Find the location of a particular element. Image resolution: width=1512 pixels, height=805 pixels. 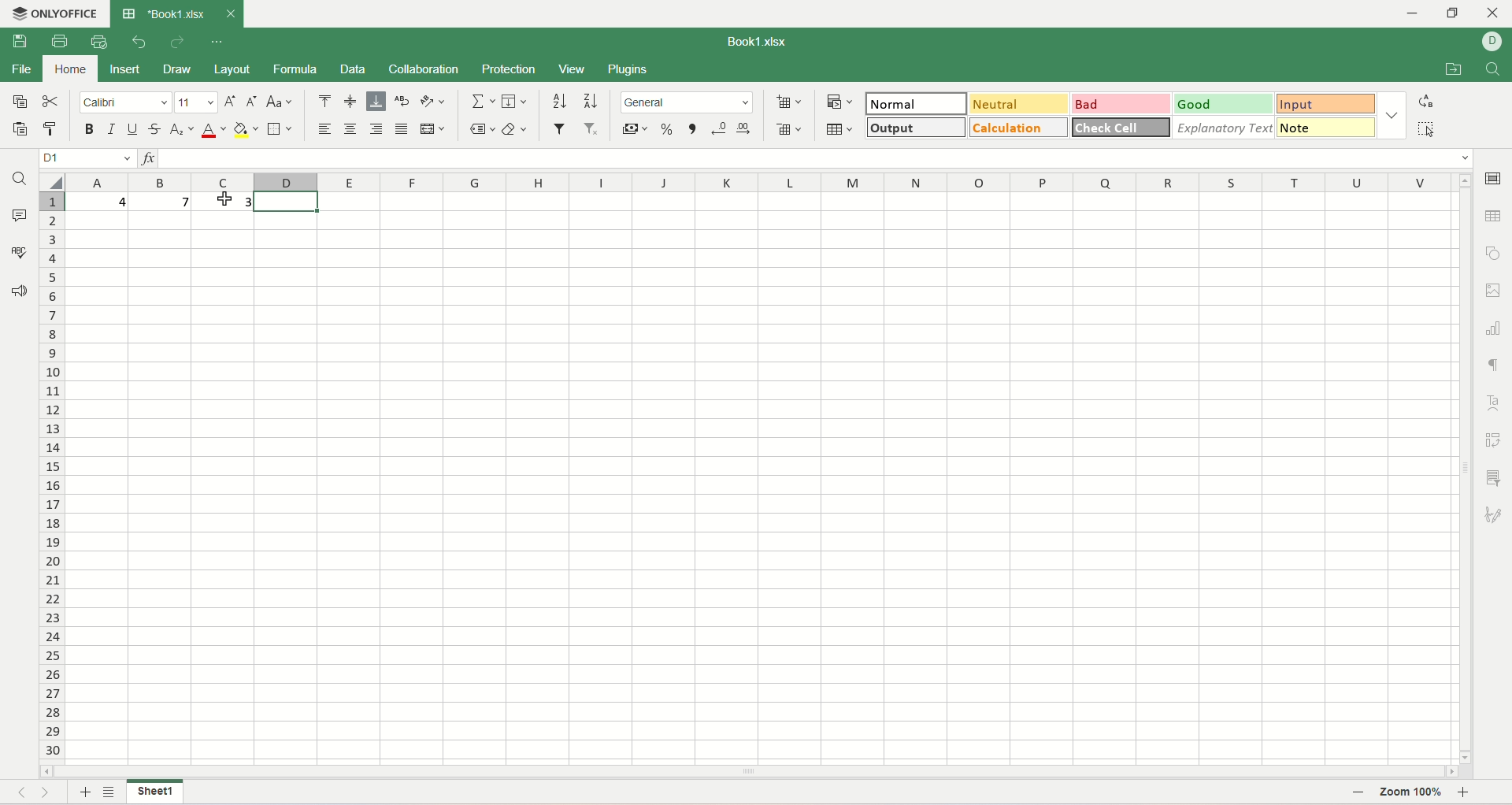

minimize is located at coordinates (1417, 14).